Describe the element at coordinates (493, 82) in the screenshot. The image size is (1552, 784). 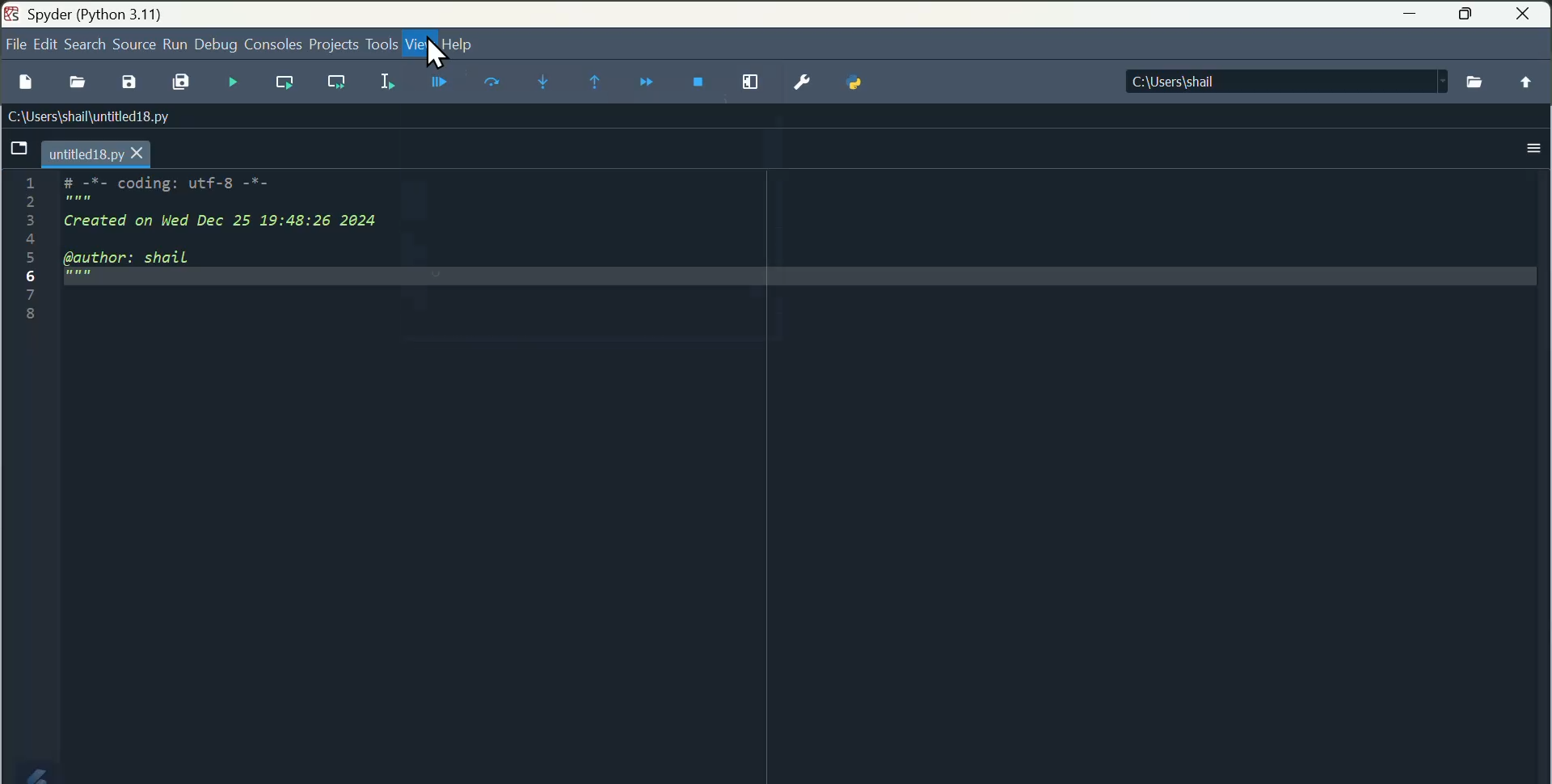
I see `Run current line` at that location.